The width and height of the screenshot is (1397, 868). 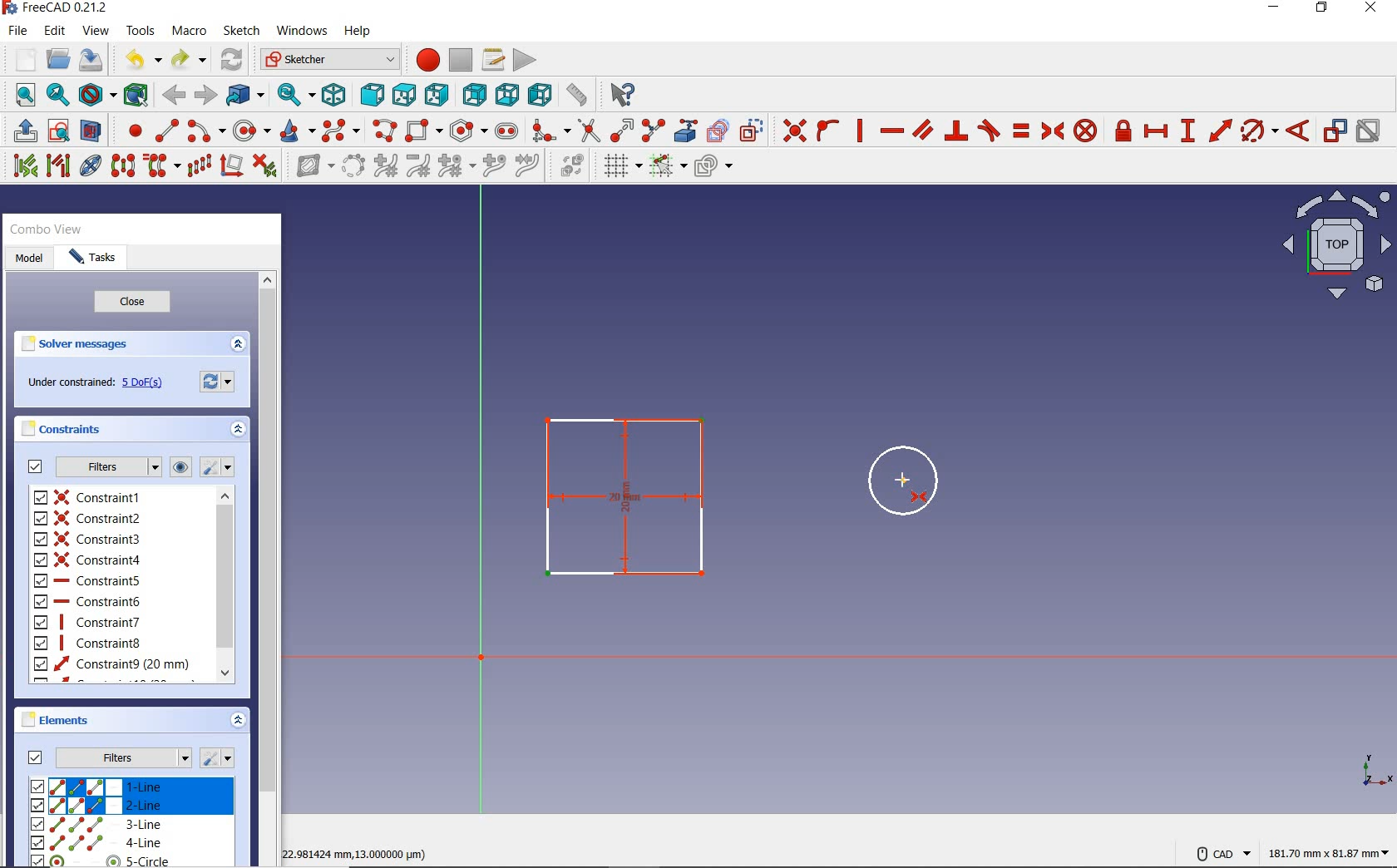 I want to click on new, so click(x=22, y=60).